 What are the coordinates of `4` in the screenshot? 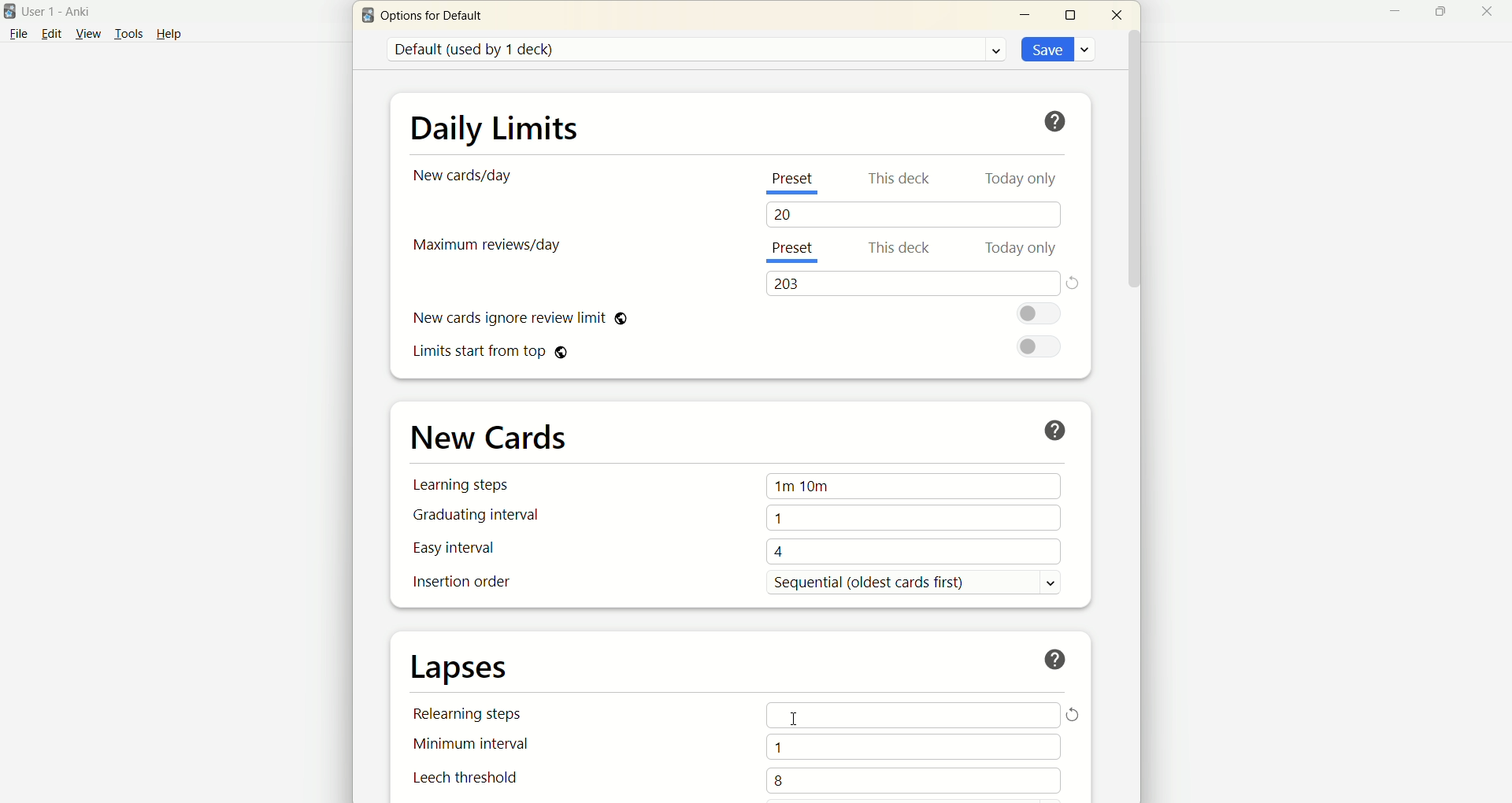 It's located at (915, 550).